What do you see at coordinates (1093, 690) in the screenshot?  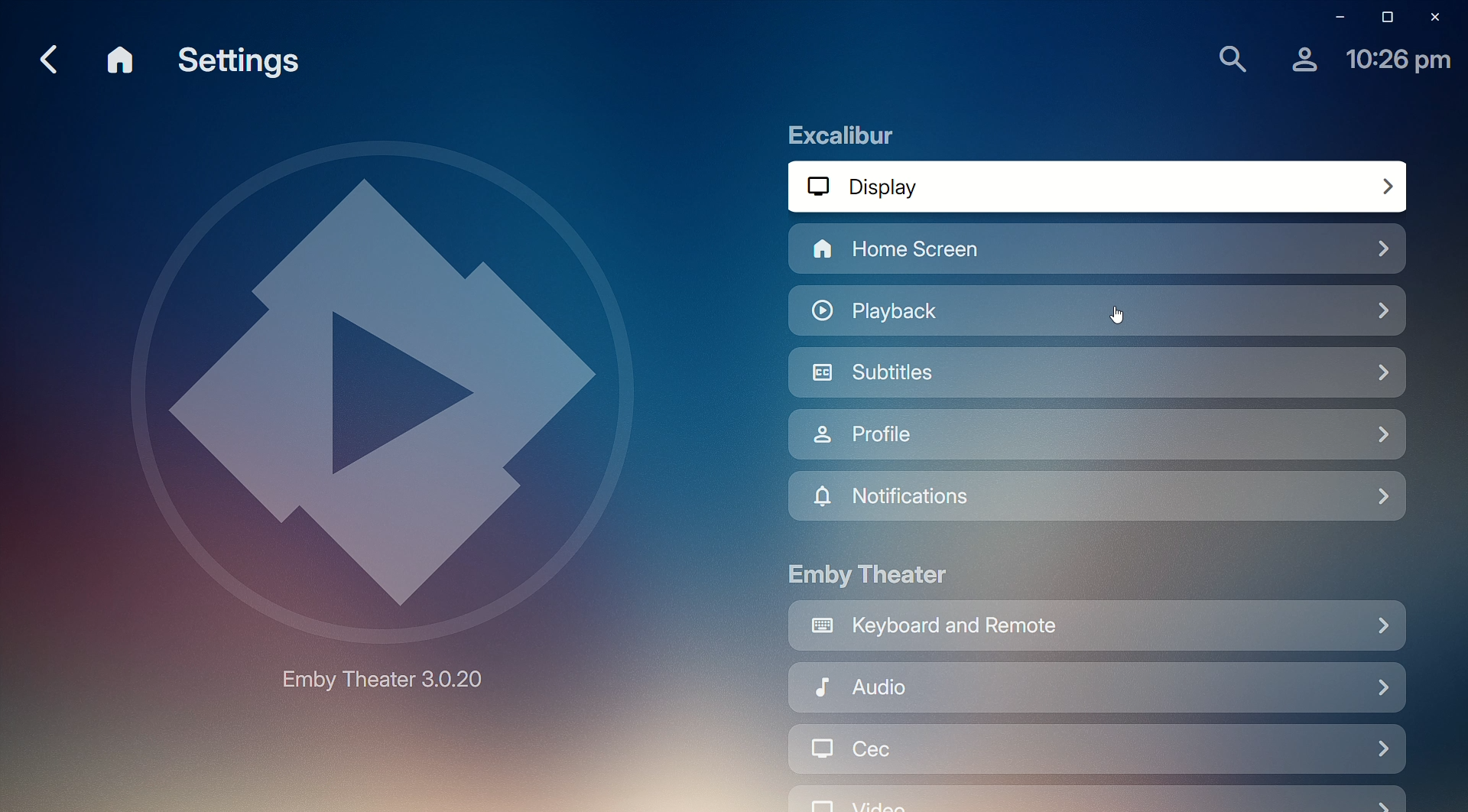 I see `Audio` at bounding box center [1093, 690].